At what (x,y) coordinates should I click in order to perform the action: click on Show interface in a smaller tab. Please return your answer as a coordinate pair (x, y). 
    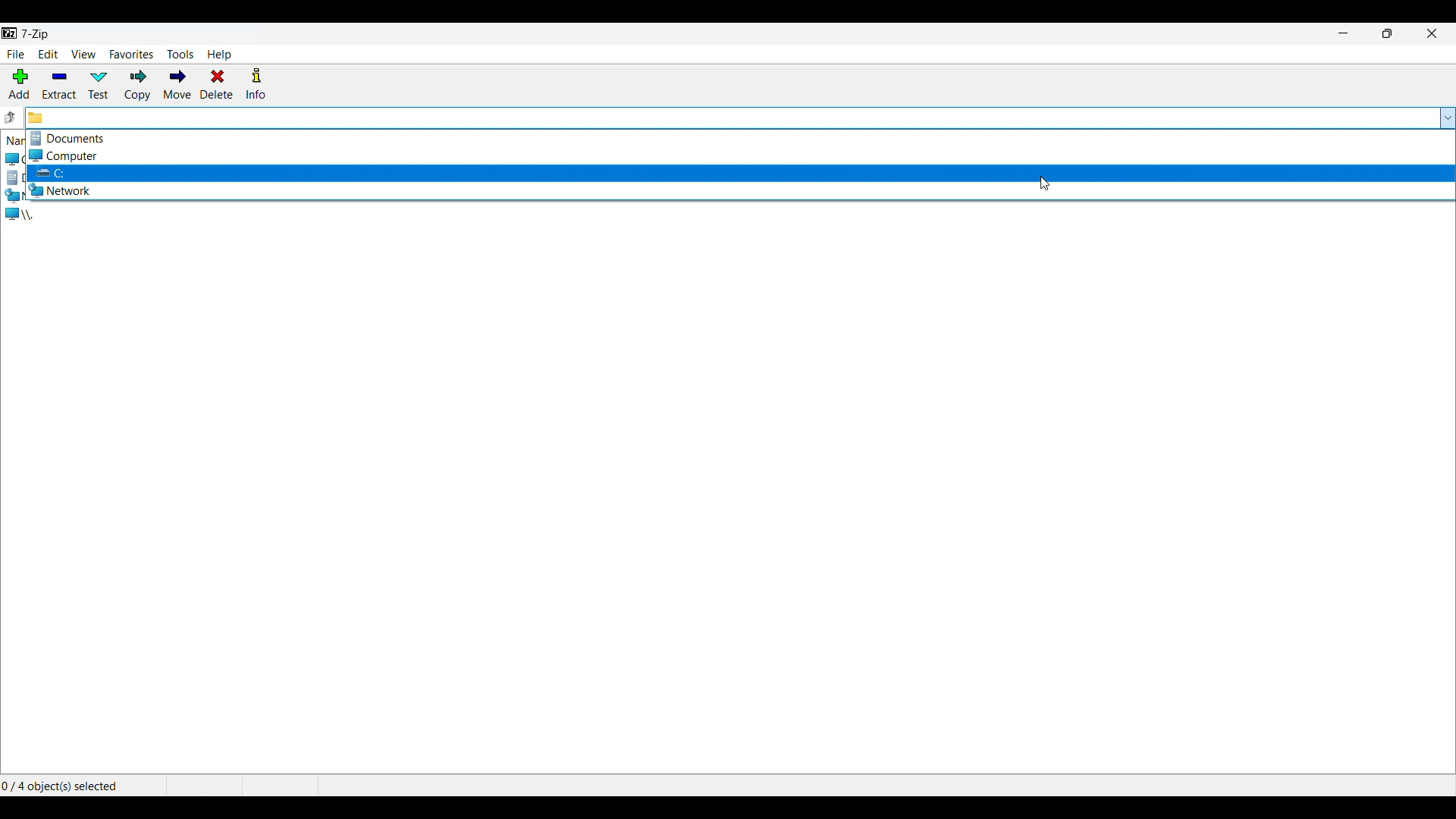
    Looking at the image, I should click on (1388, 33).